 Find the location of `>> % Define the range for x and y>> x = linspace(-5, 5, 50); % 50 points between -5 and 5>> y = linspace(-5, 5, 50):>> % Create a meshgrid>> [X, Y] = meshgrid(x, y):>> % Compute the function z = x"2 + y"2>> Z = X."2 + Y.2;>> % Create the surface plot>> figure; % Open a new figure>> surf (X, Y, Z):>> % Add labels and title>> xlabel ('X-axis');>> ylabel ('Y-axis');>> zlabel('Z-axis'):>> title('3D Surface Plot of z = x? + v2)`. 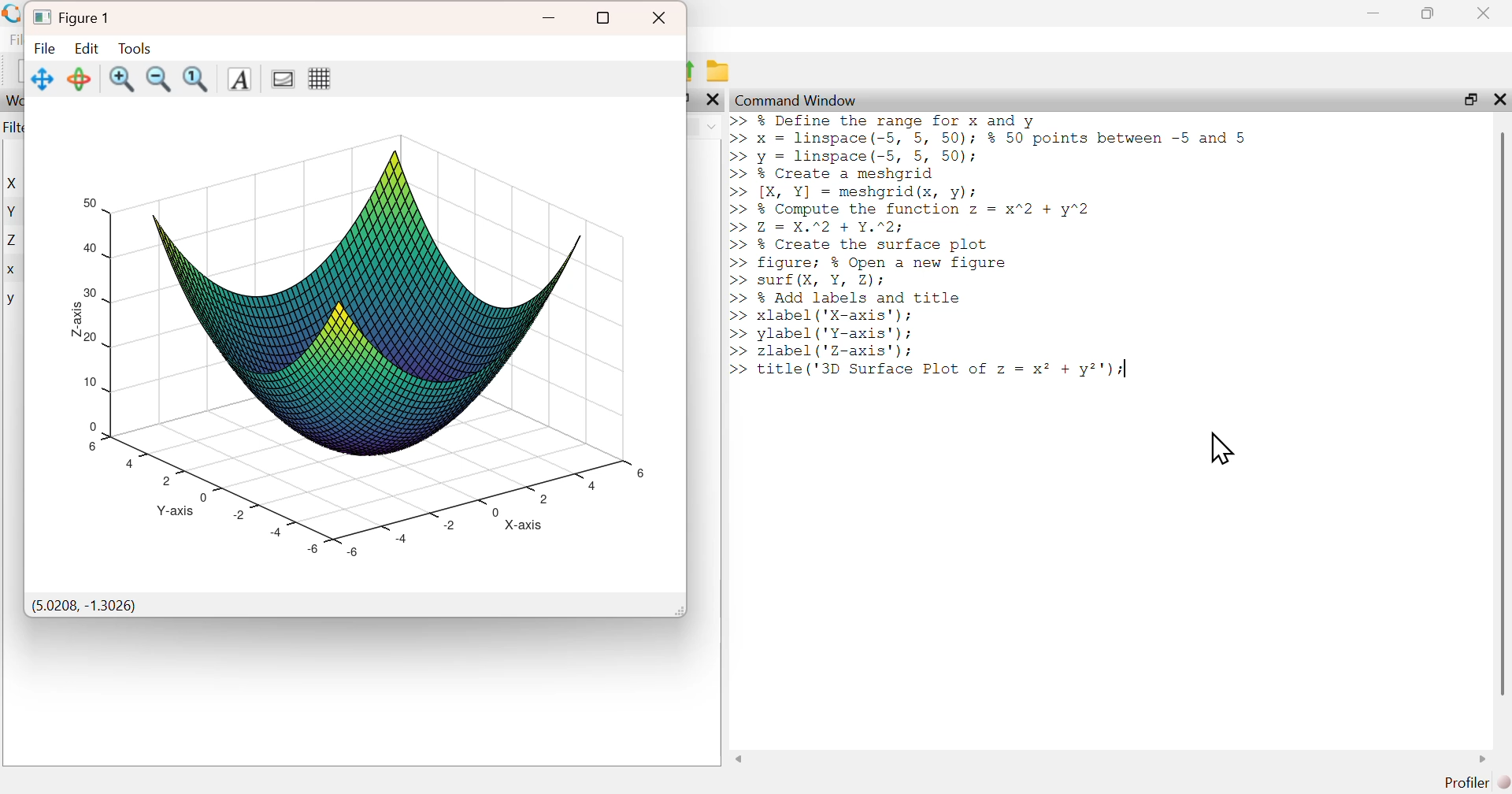

>> % Define the range for x and y>> x = linspace(-5, 5, 50); % 50 points between -5 and 5>> y = linspace(-5, 5, 50):>> % Create a meshgrid>> [X, Y] = meshgrid(x, y):>> % Compute the function z = x"2 + y"2>> Z = X."2 + Y.2;>> % Create the surface plot>> figure; % Open a new figure>> surf (X, Y, Z):>> % Add labels and title>> xlabel ('X-axis');>> ylabel ('Y-axis');>> zlabel('Z-axis'):>> title('3D Surface Plot of z = x? + v2) is located at coordinates (999, 251).